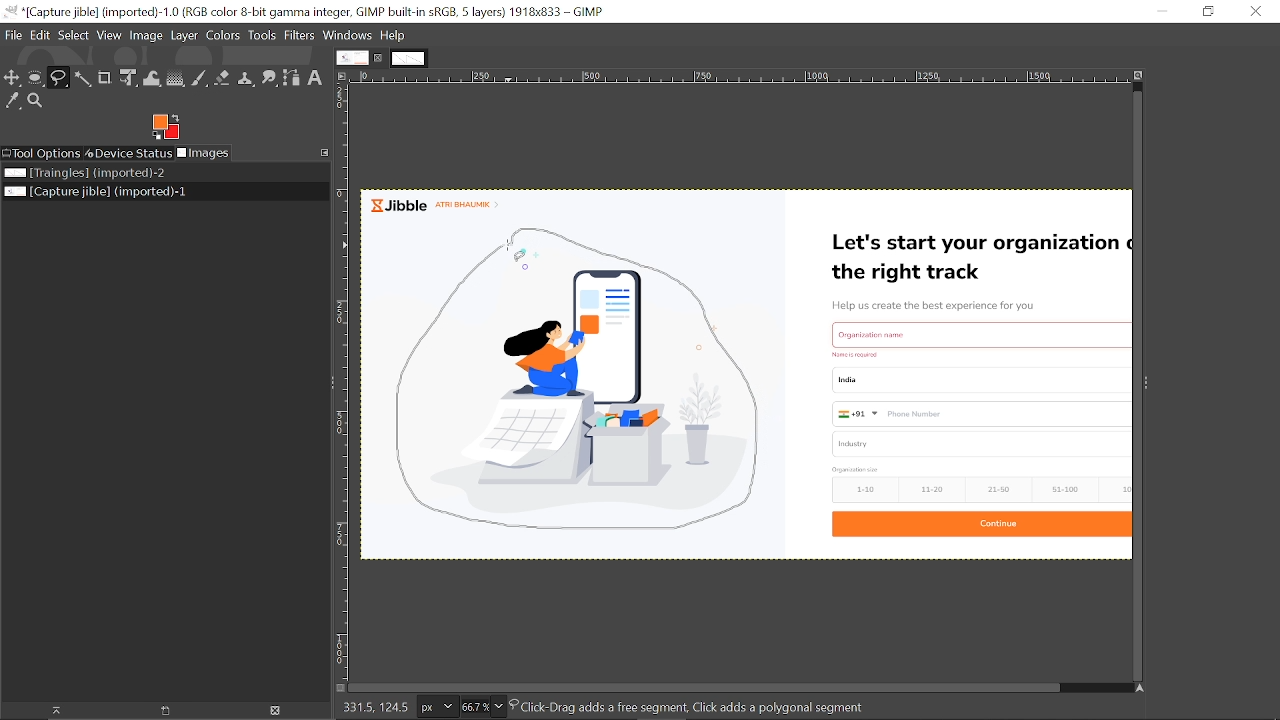  I want to click on Gradient tool, so click(176, 78).